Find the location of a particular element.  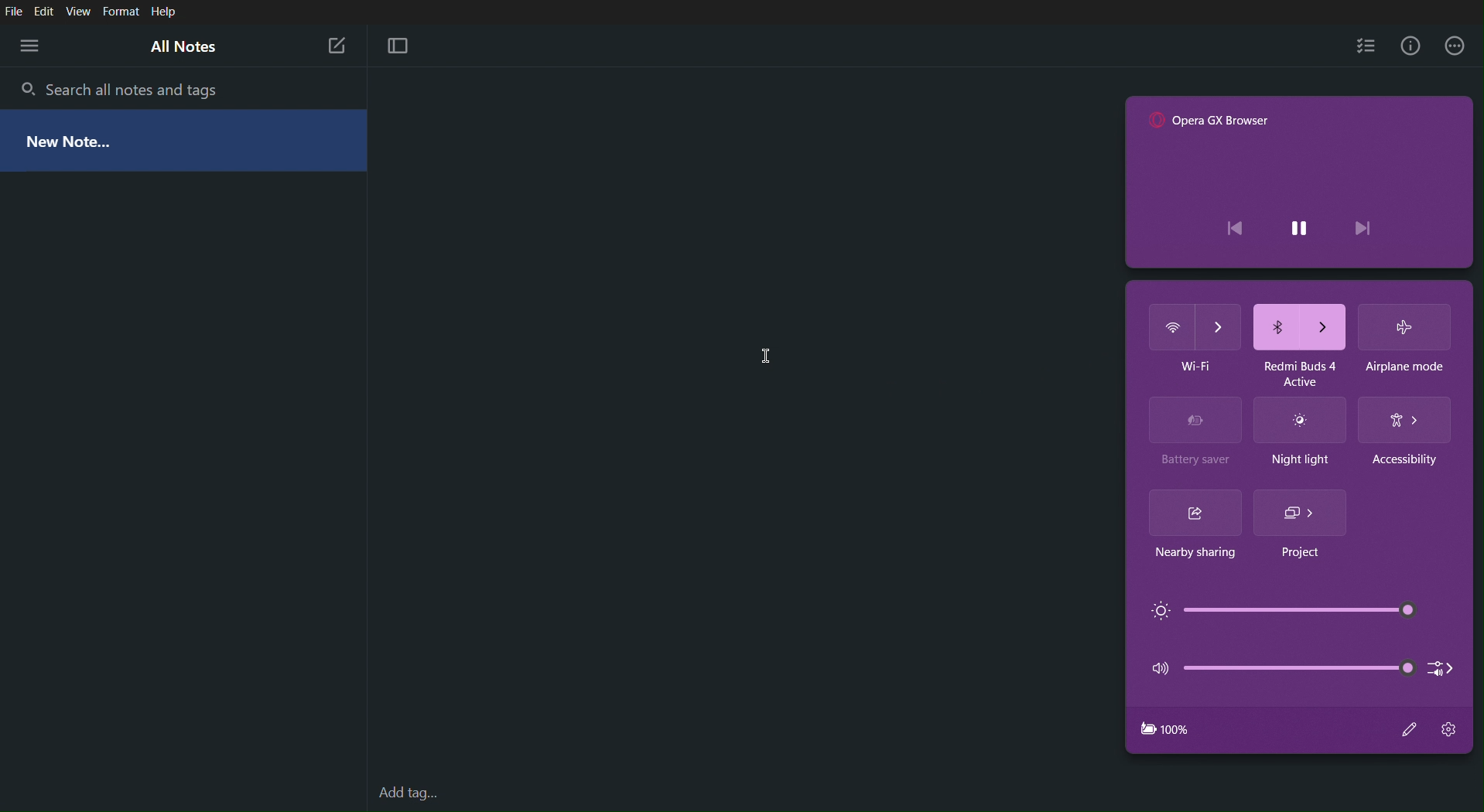

Help is located at coordinates (164, 12).